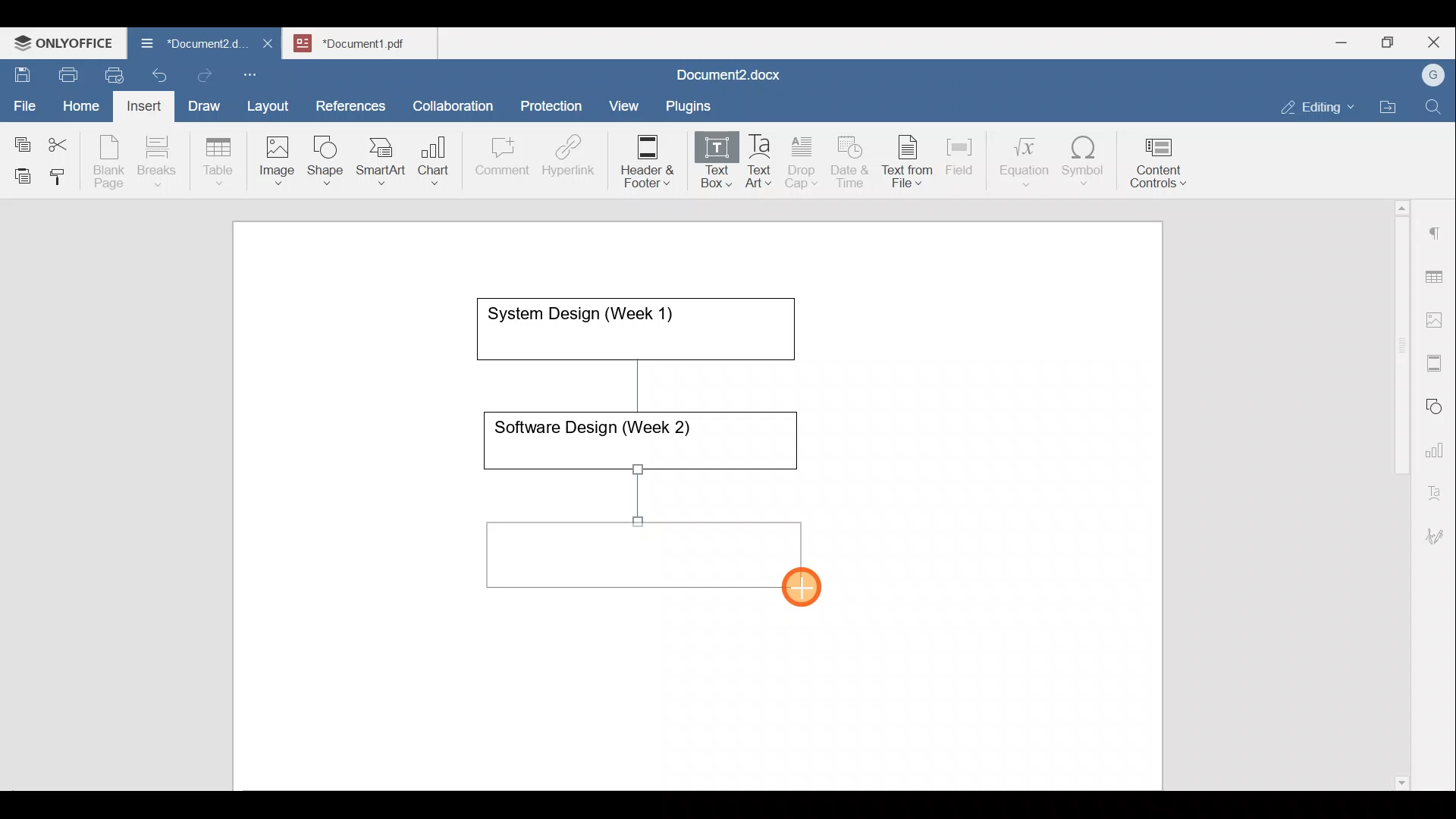 Image resolution: width=1456 pixels, height=819 pixels. I want to click on Customize quick access toolbar, so click(256, 72).